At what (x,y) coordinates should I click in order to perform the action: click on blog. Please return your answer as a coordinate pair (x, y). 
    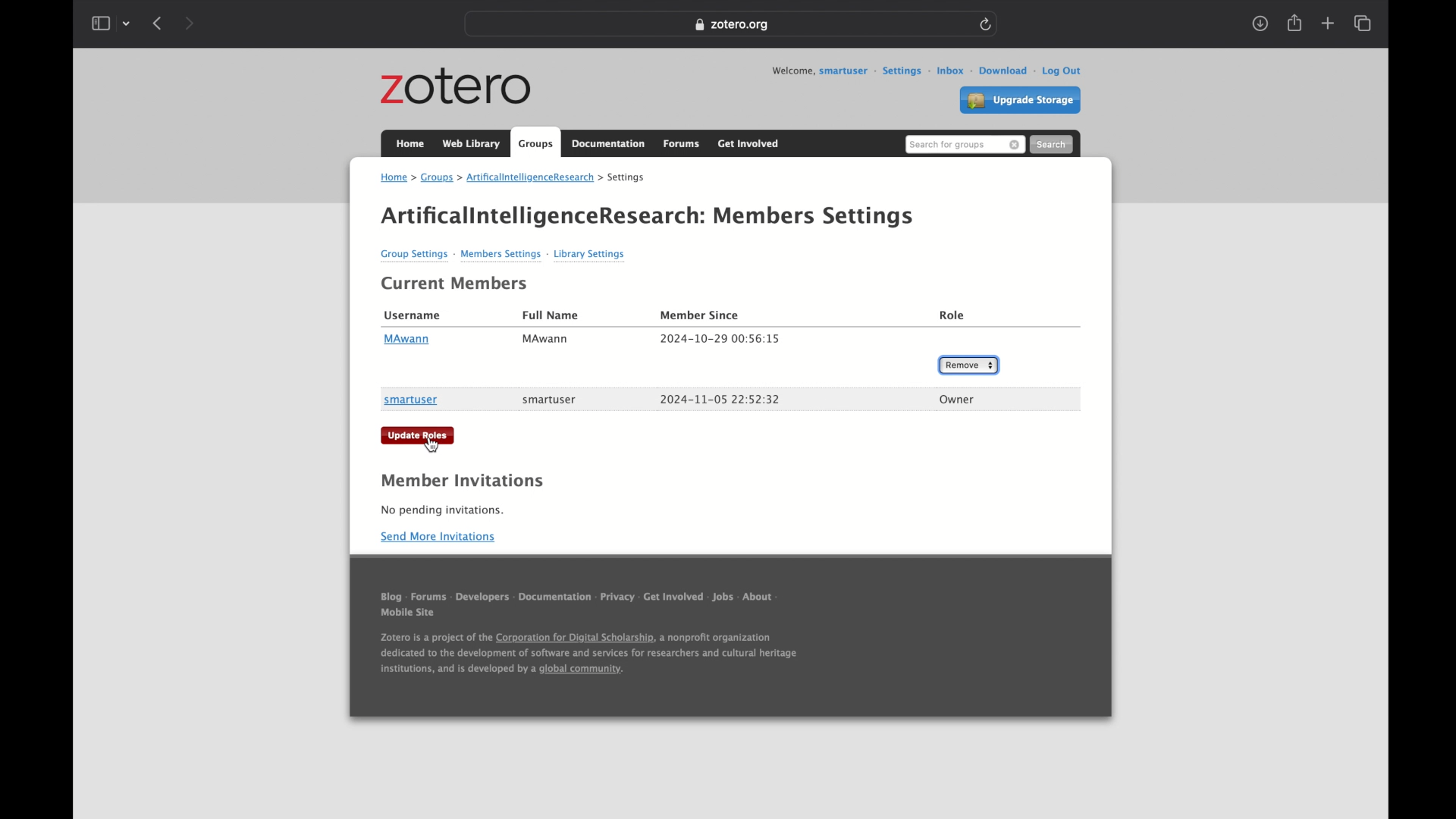
    Looking at the image, I should click on (391, 599).